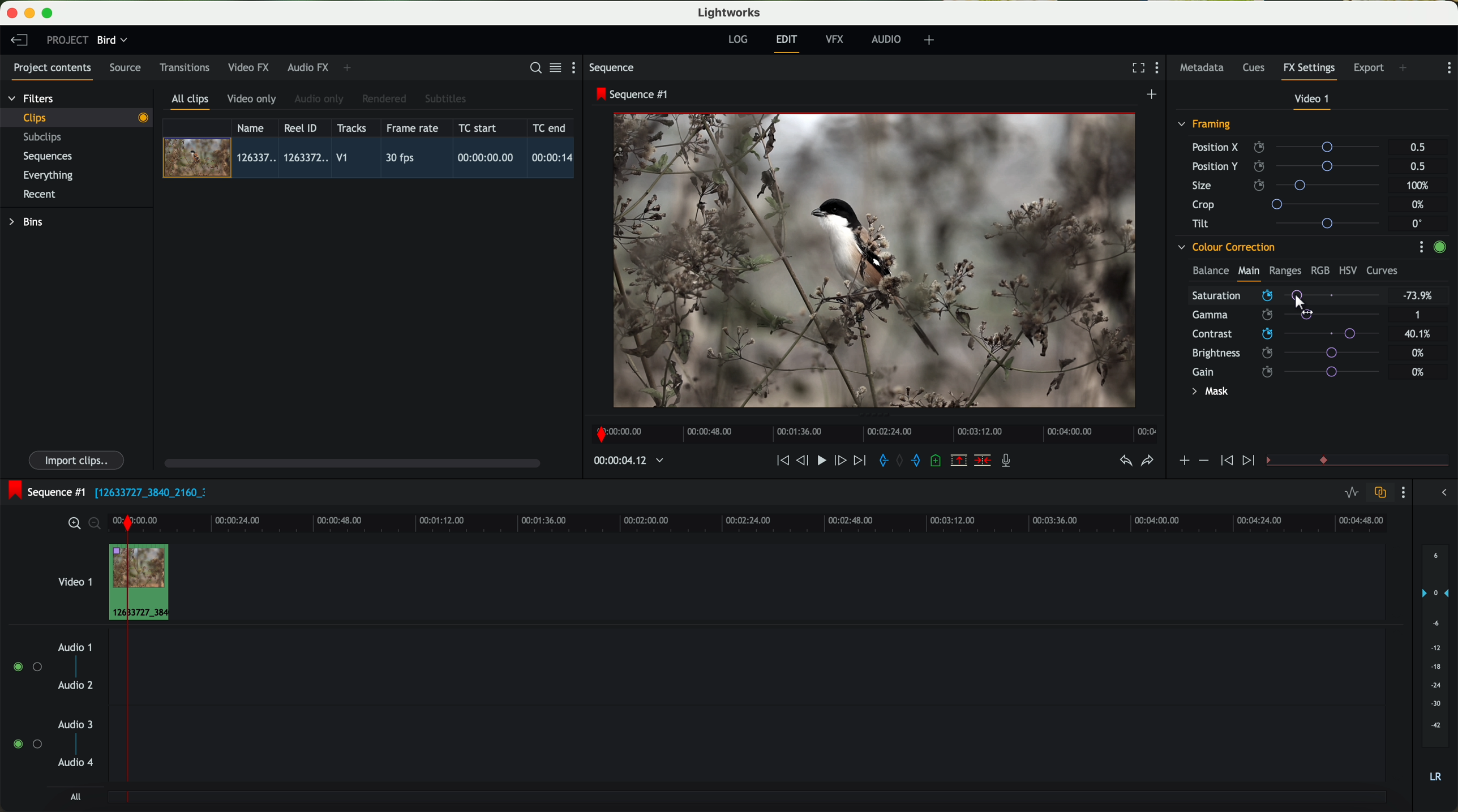 The height and width of the screenshot is (812, 1458). What do you see at coordinates (550, 127) in the screenshot?
I see `TC end` at bounding box center [550, 127].